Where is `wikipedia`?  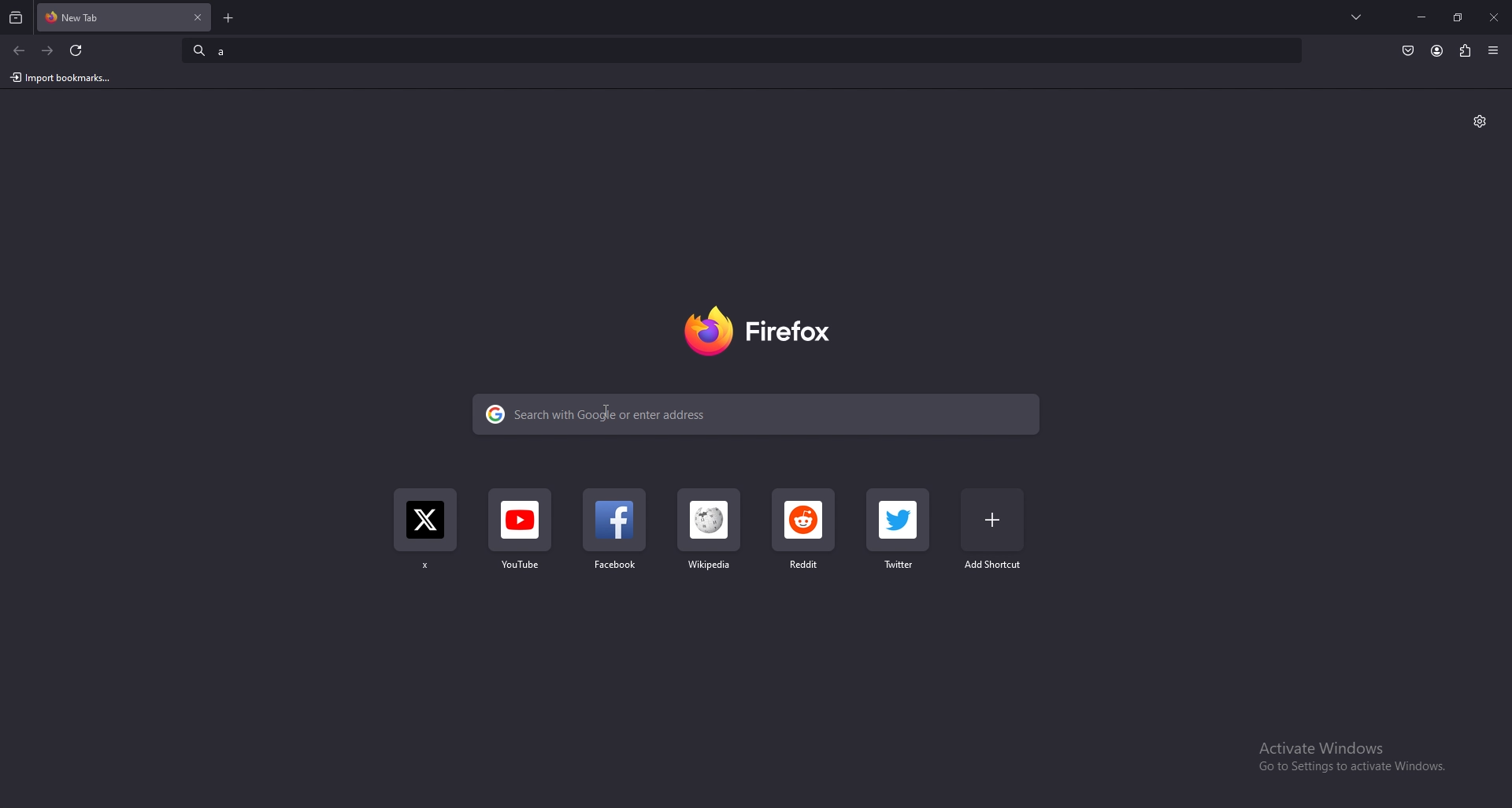 wikipedia is located at coordinates (710, 539).